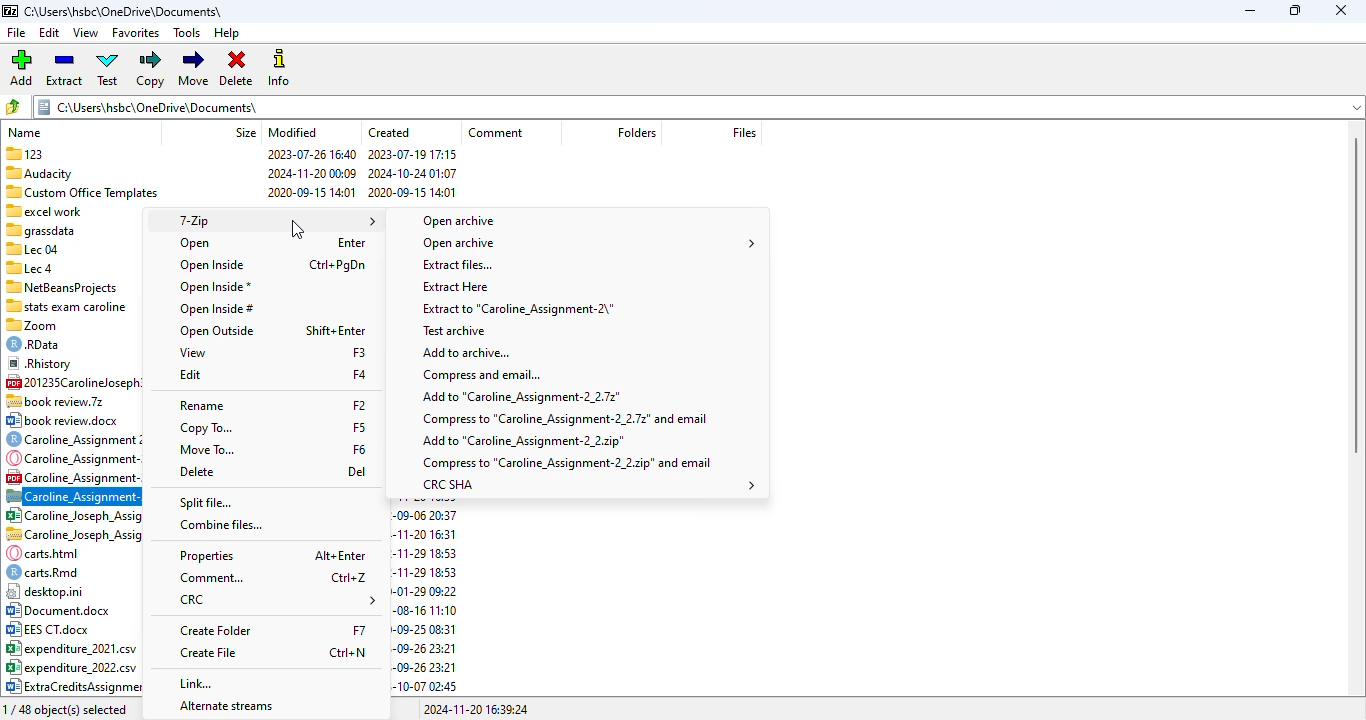  What do you see at coordinates (205, 503) in the screenshot?
I see `split file` at bounding box center [205, 503].